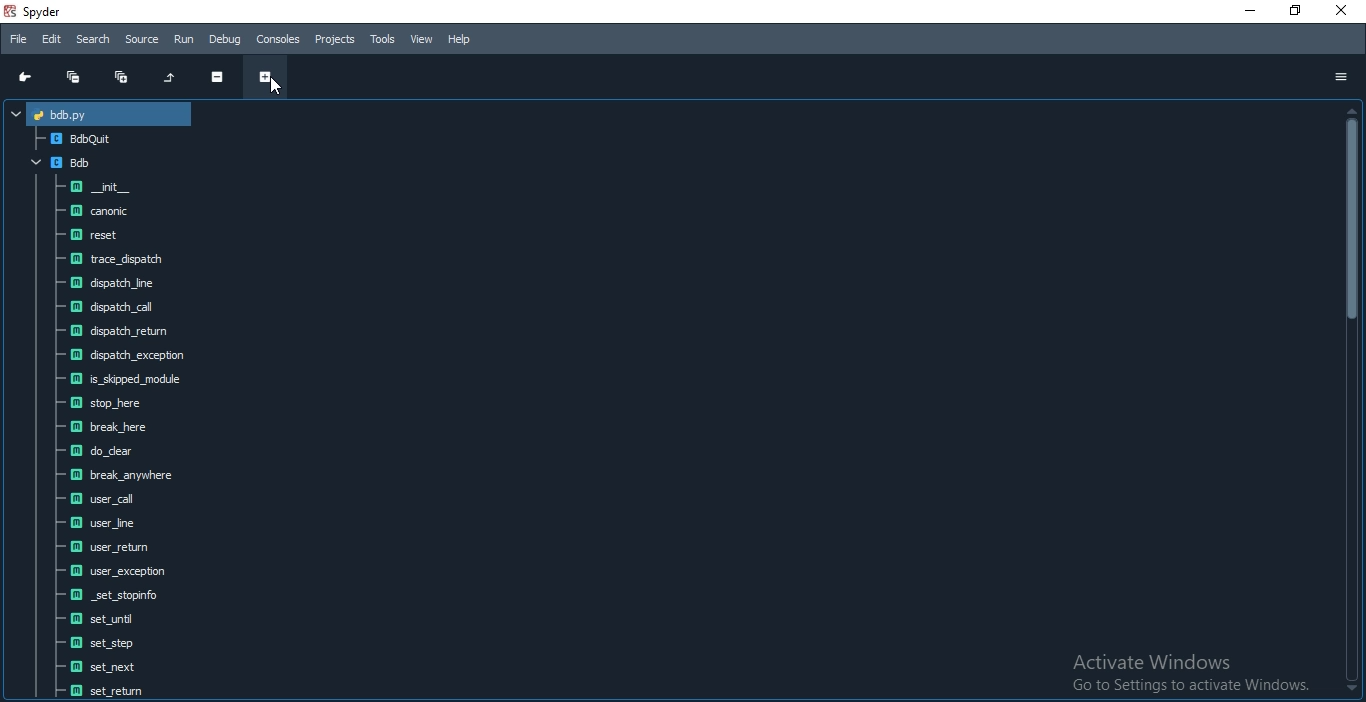 This screenshot has width=1366, height=702. I want to click on Tools, so click(384, 40).